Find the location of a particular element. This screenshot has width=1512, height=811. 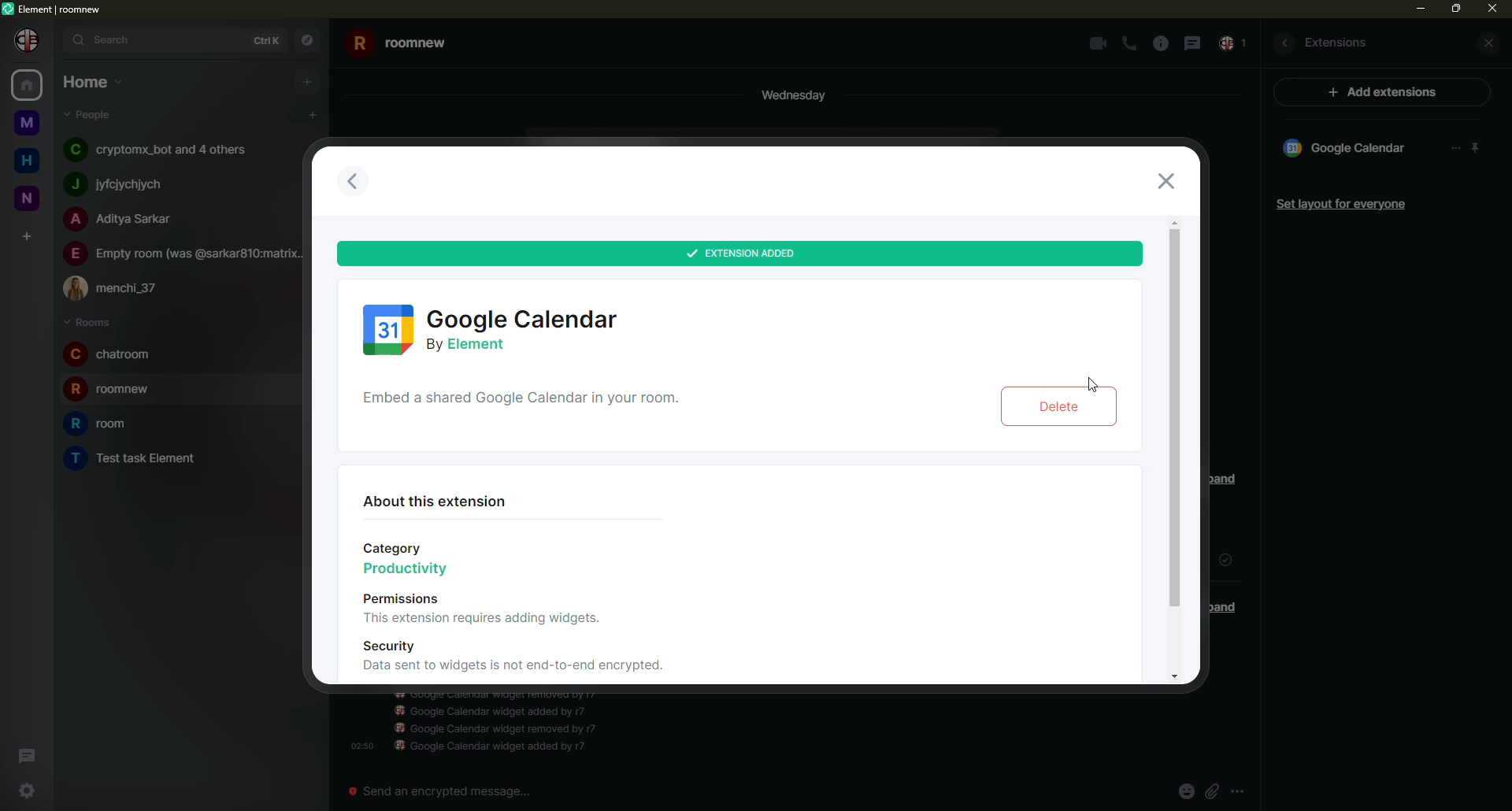

room is located at coordinates (99, 424).